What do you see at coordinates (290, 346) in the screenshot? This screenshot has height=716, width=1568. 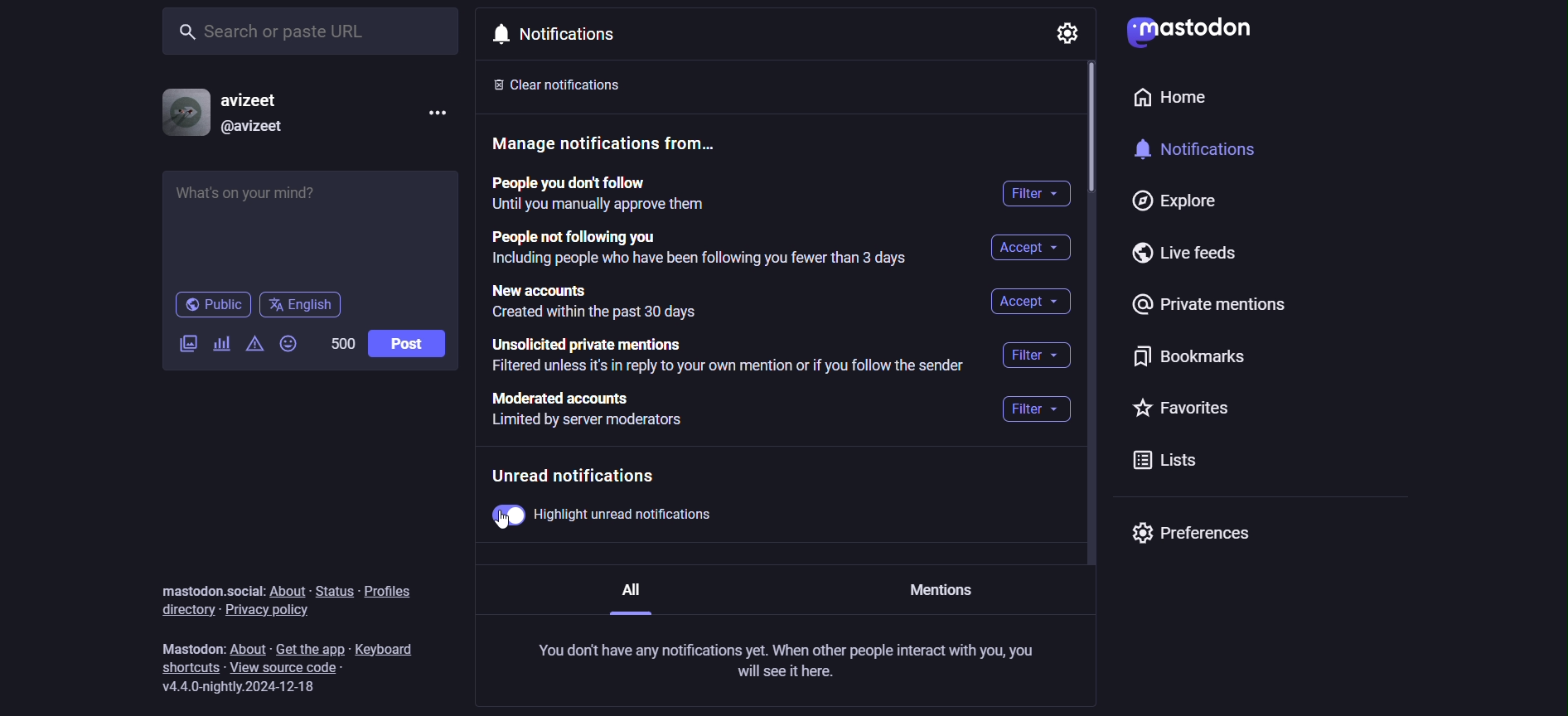 I see `emojis` at bounding box center [290, 346].